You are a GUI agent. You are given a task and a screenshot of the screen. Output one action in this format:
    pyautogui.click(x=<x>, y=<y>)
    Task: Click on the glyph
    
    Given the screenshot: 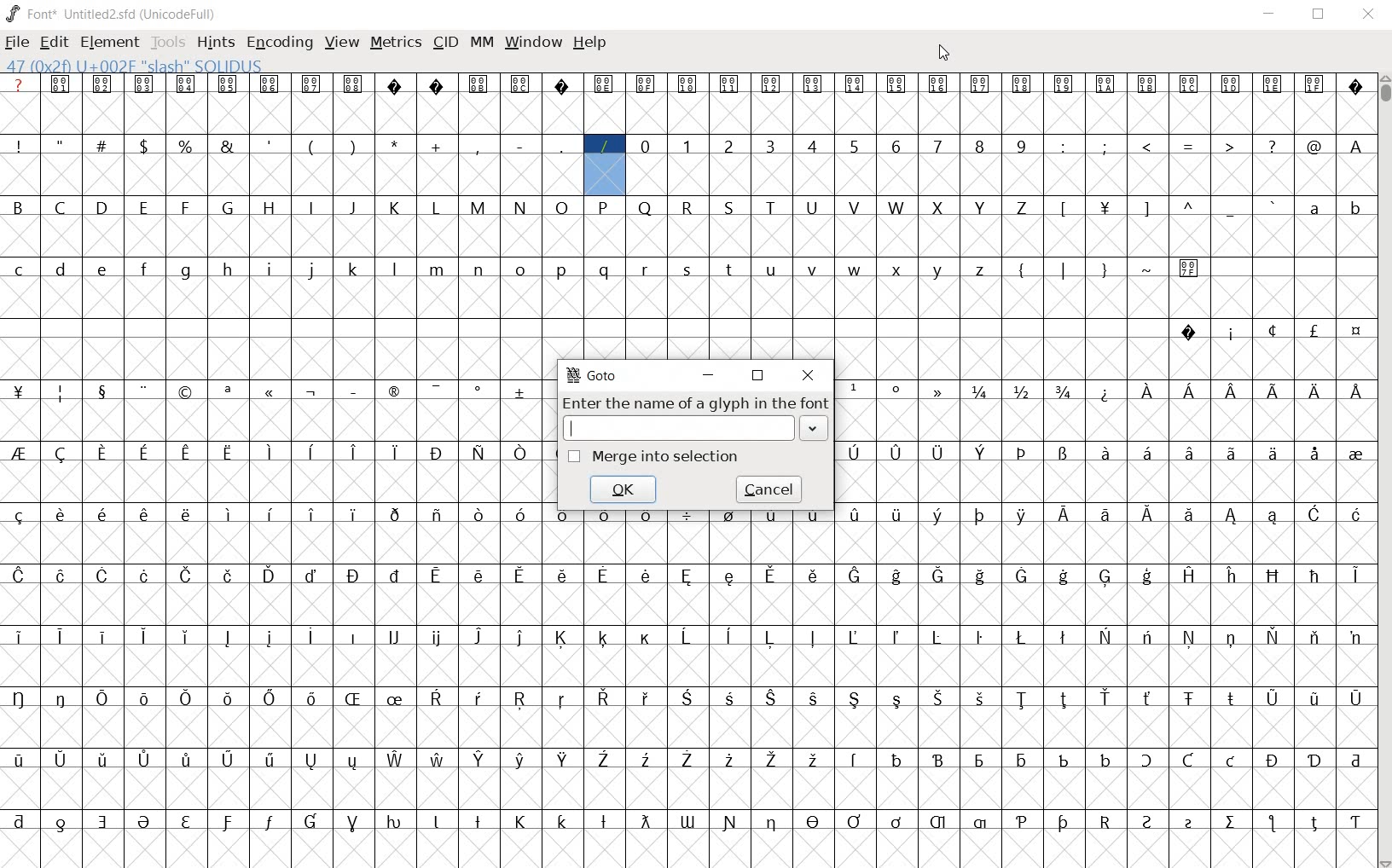 What is the action you would take?
    pyautogui.click(x=228, y=759)
    